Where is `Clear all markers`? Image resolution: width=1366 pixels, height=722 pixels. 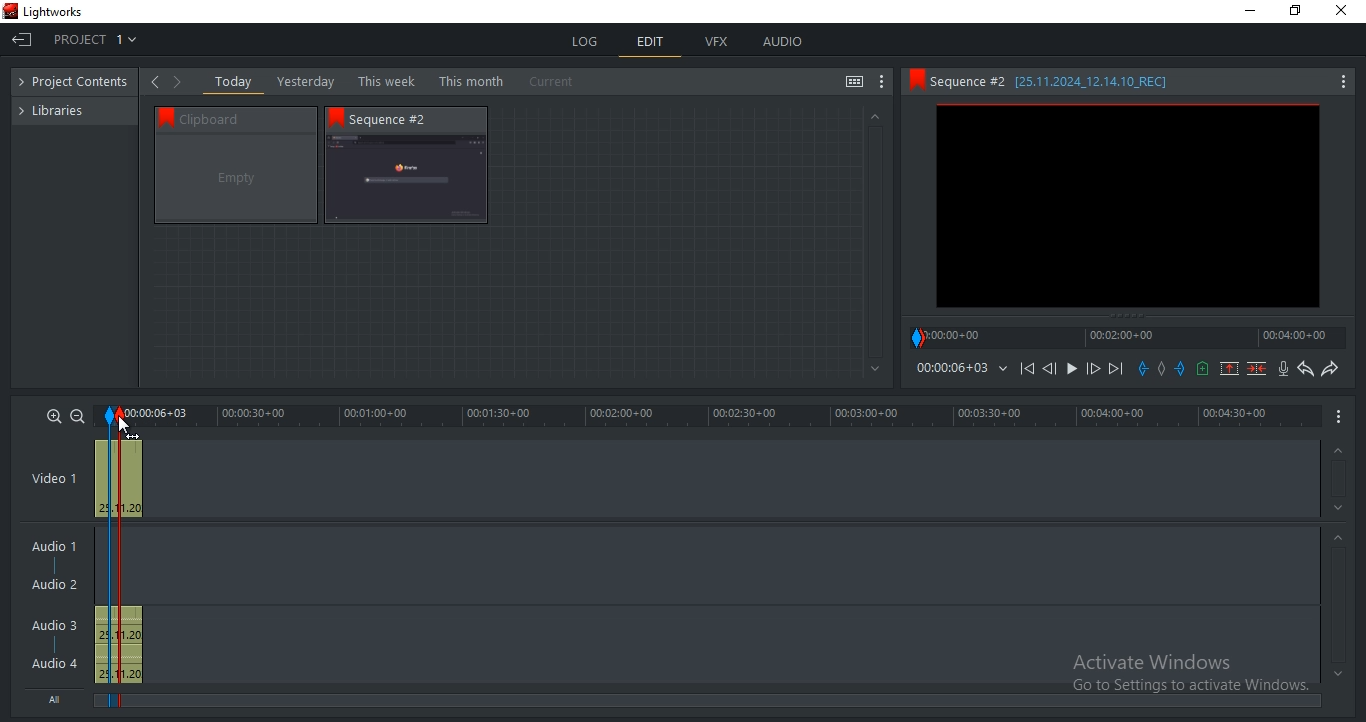
Clear all markers is located at coordinates (1162, 374).